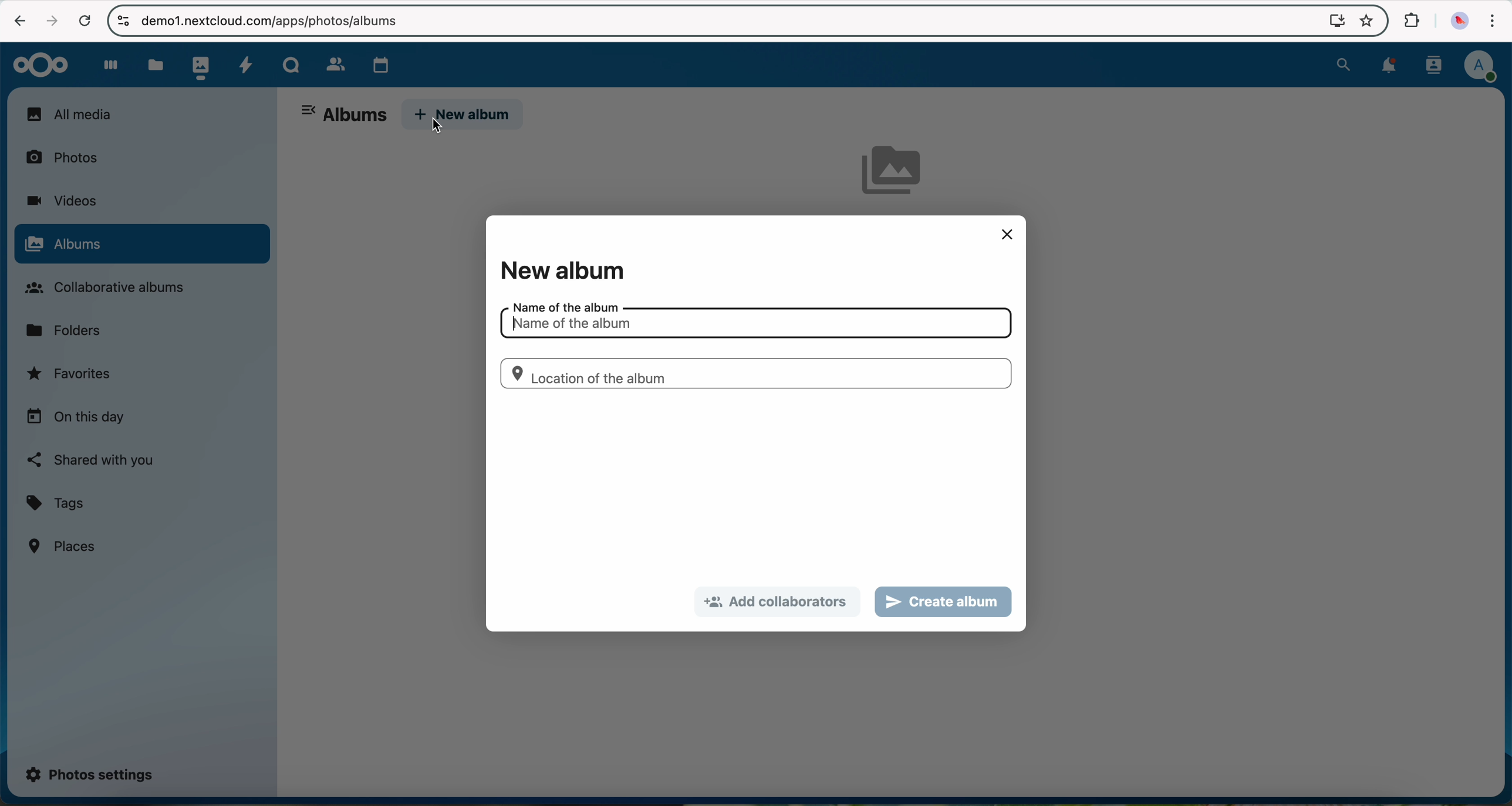 This screenshot has height=806, width=1512. I want to click on disable create album button, so click(944, 601).